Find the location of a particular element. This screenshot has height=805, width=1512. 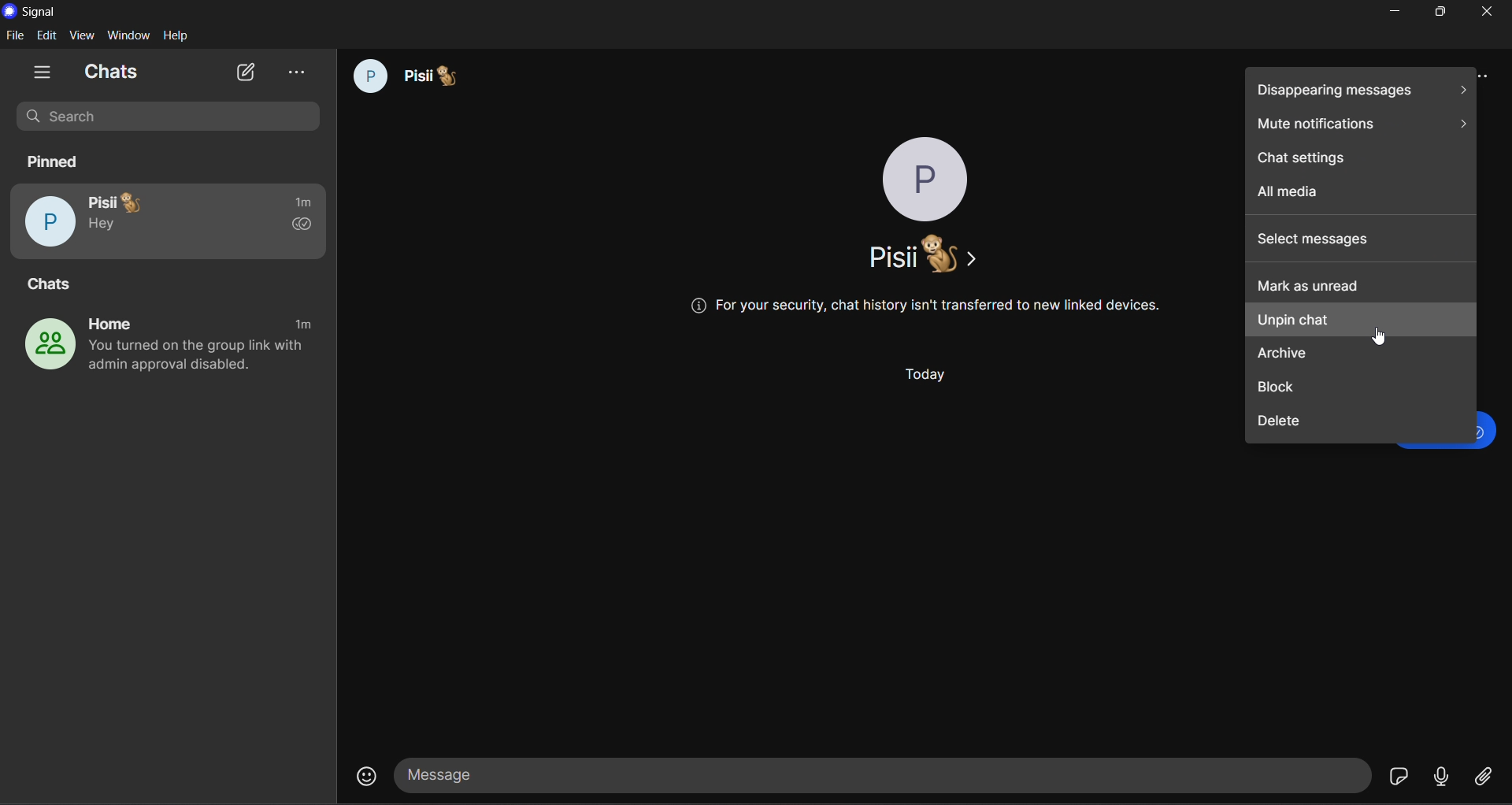

help is located at coordinates (178, 35).